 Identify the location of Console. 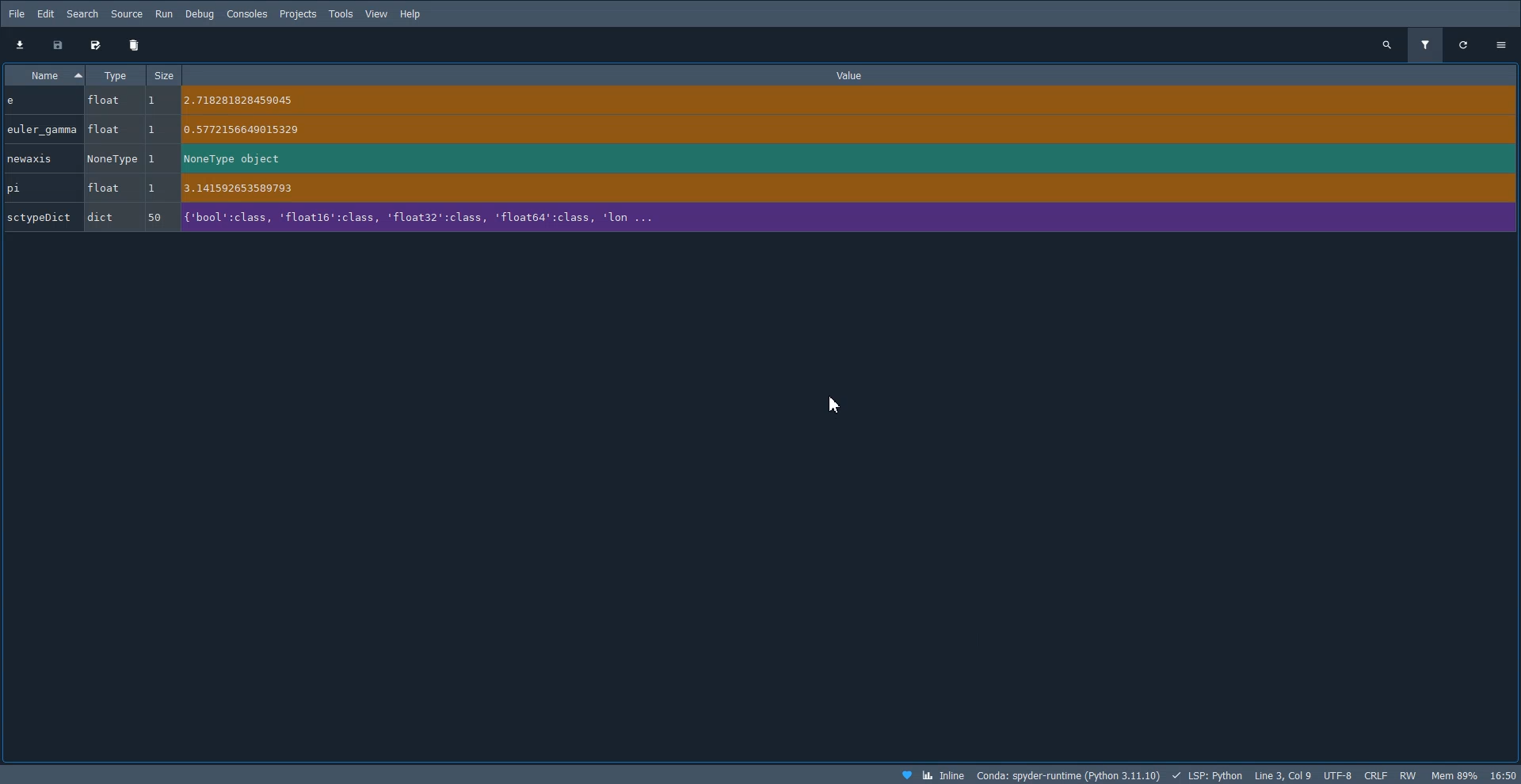
(247, 13).